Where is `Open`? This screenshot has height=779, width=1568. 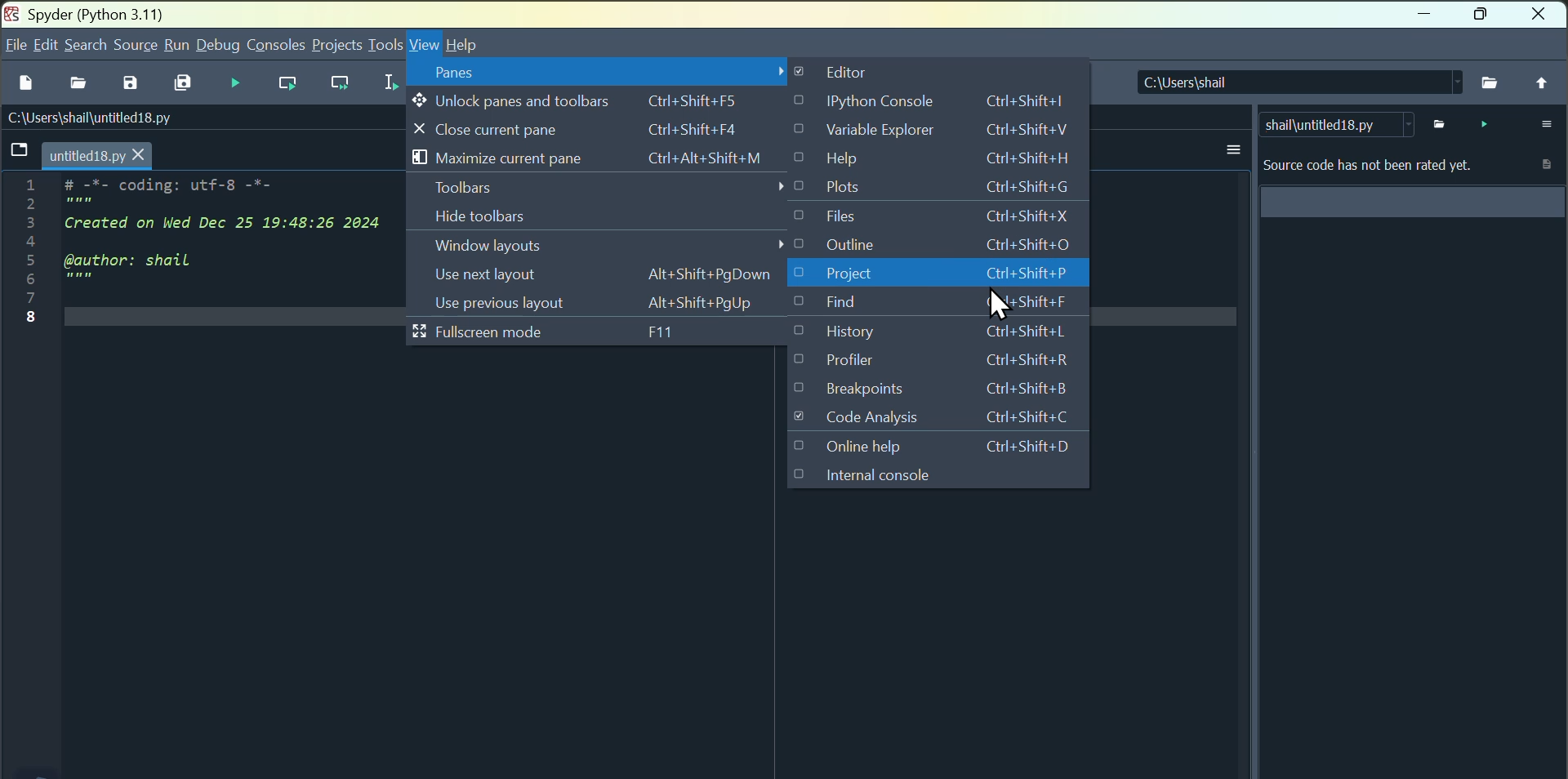 Open is located at coordinates (82, 89).